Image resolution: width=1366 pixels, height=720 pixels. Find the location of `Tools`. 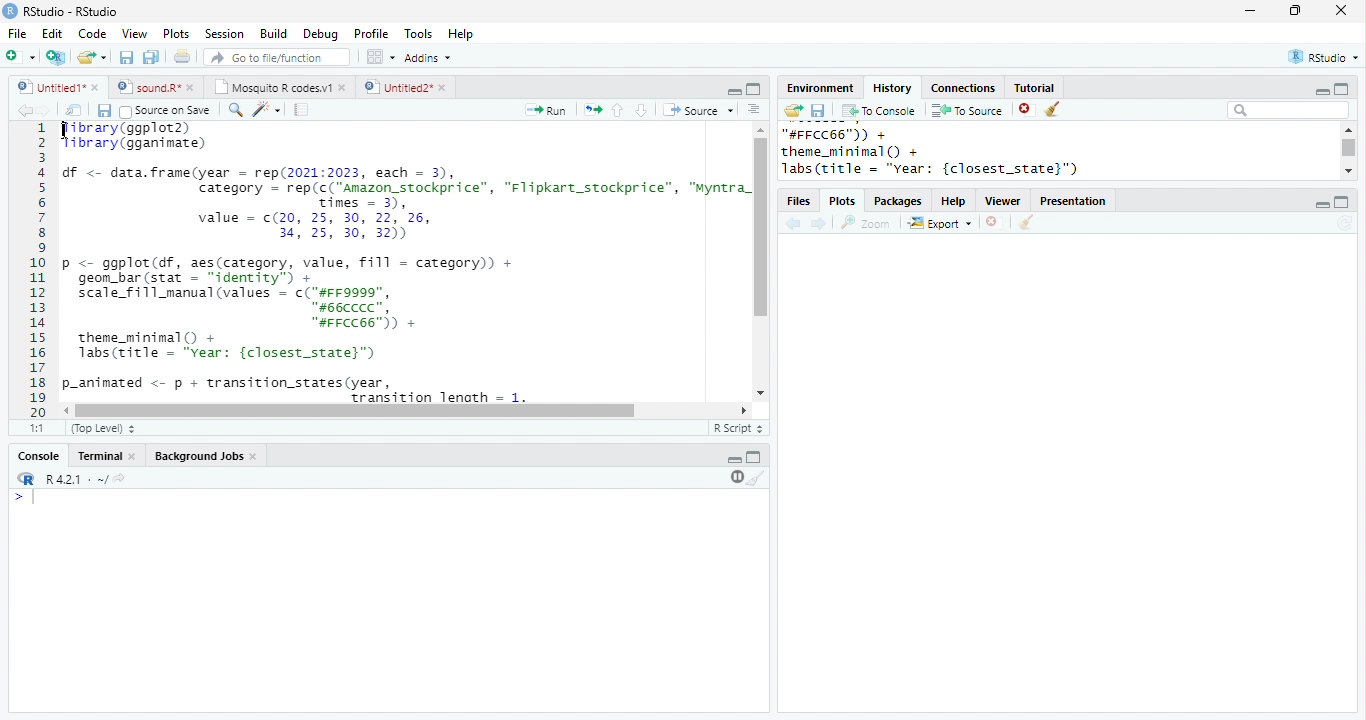

Tools is located at coordinates (418, 33).